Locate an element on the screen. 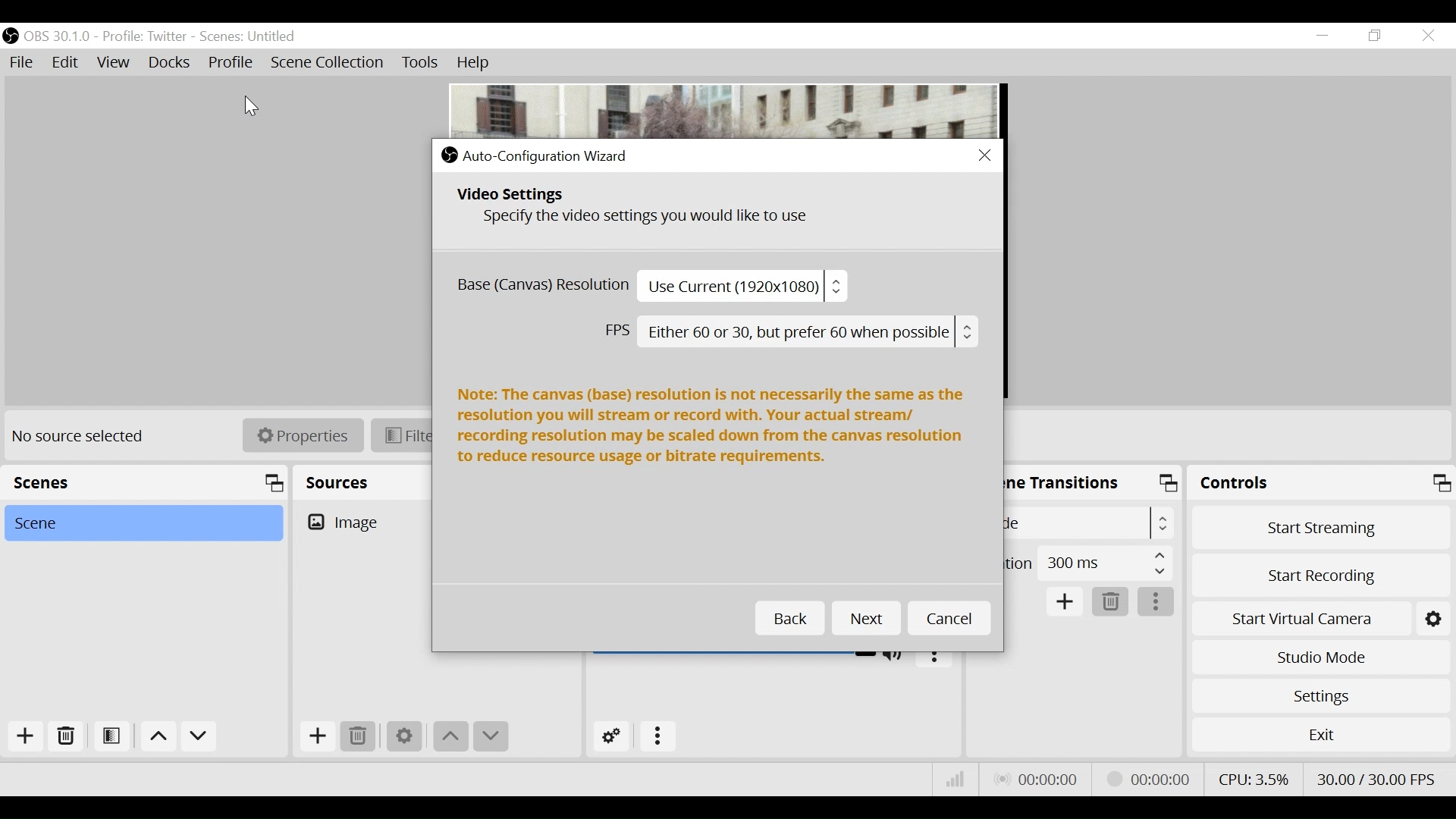  Move up is located at coordinates (450, 736).